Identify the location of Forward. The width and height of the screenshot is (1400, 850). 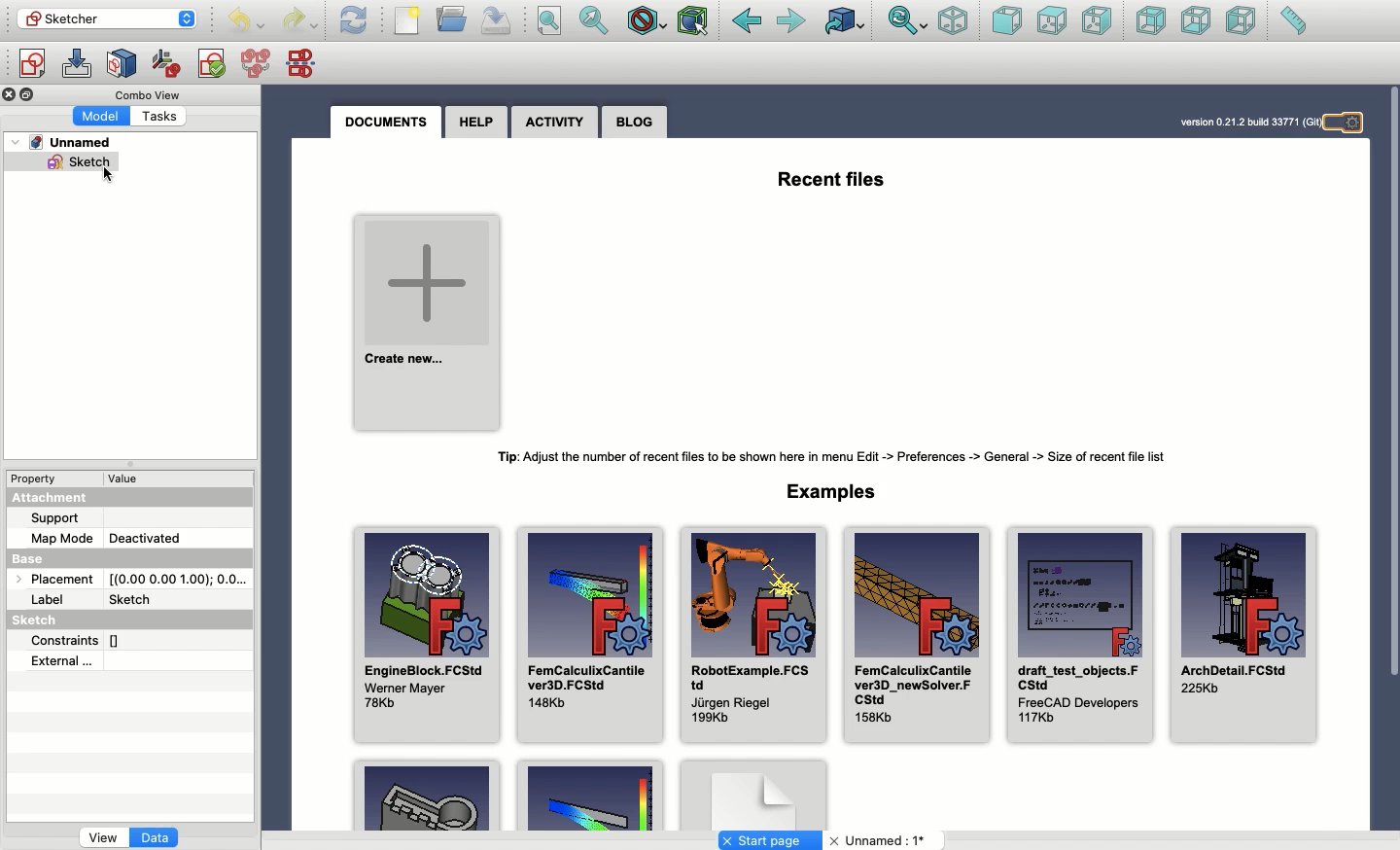
(793, 22).